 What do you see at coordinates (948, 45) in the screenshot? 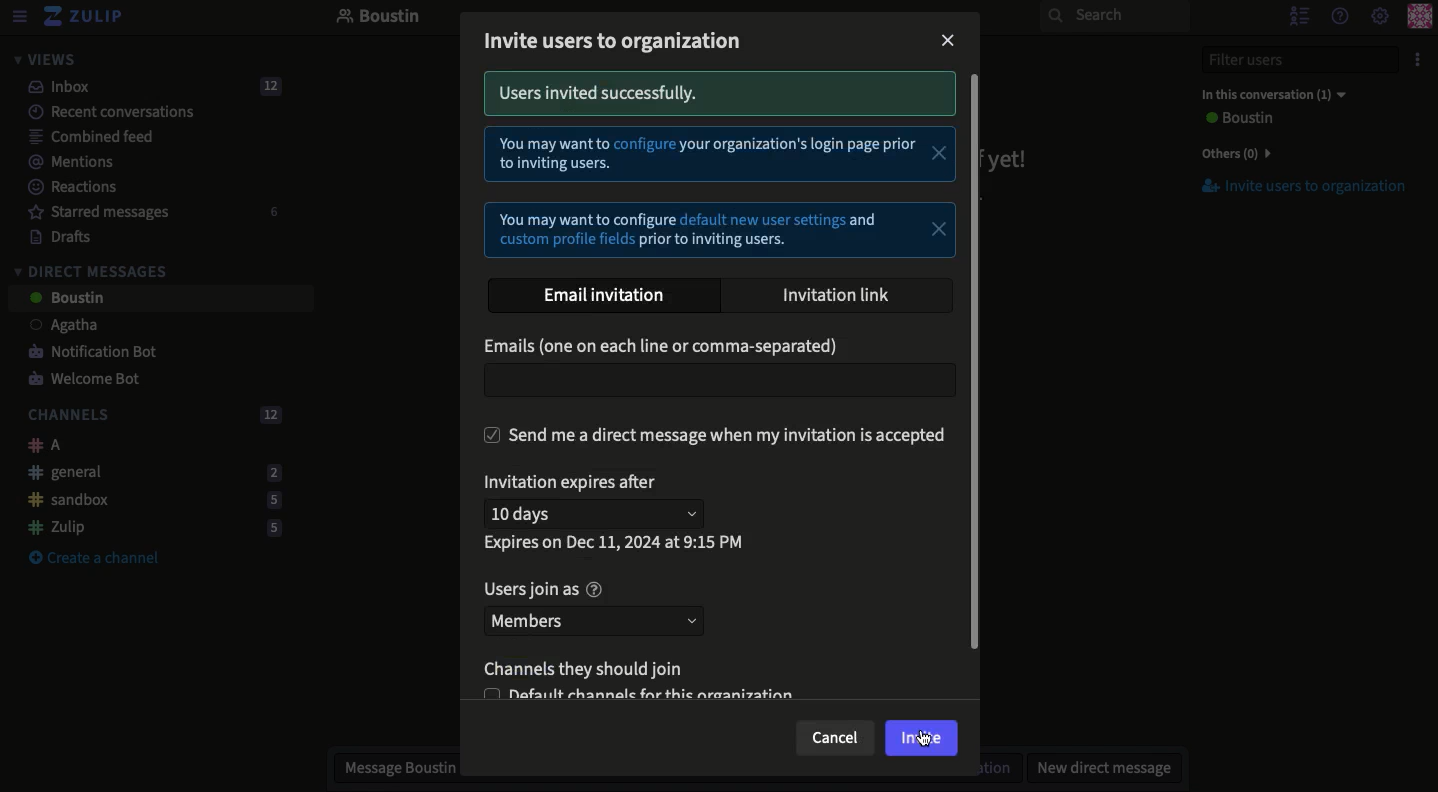
I see `` at bounding box center [948, 45].